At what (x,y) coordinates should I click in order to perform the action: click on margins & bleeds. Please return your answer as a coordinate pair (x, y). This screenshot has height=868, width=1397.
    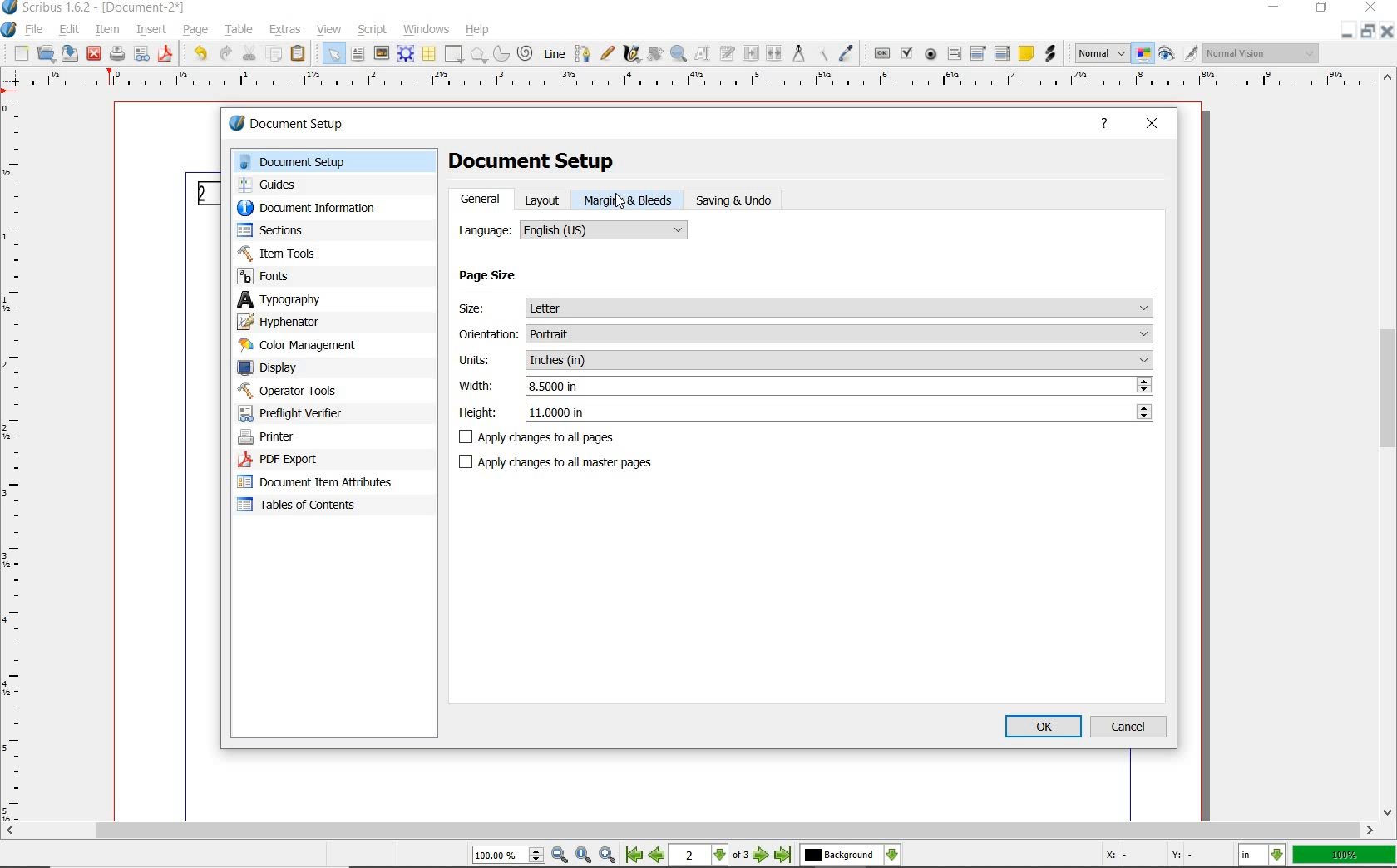
    Looking at the image, I should click on (629, 200).